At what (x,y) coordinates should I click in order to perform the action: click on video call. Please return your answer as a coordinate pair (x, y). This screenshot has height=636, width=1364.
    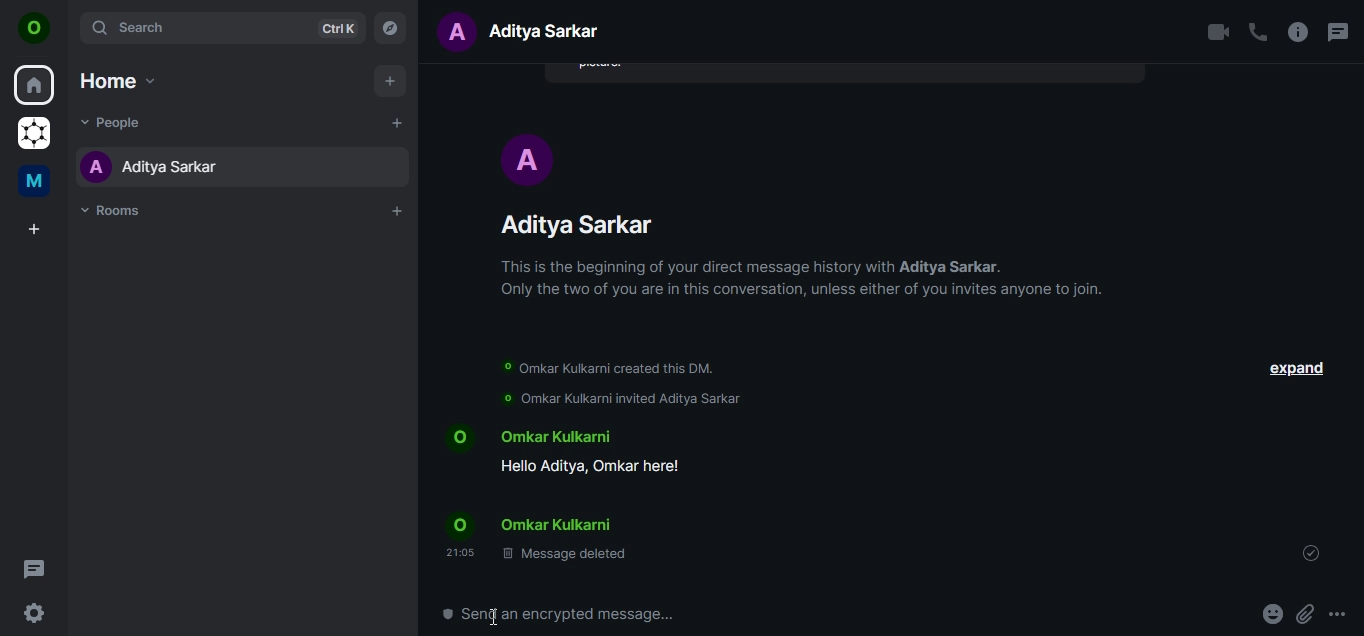
    Looking at the image, I should click on (1219, 30).